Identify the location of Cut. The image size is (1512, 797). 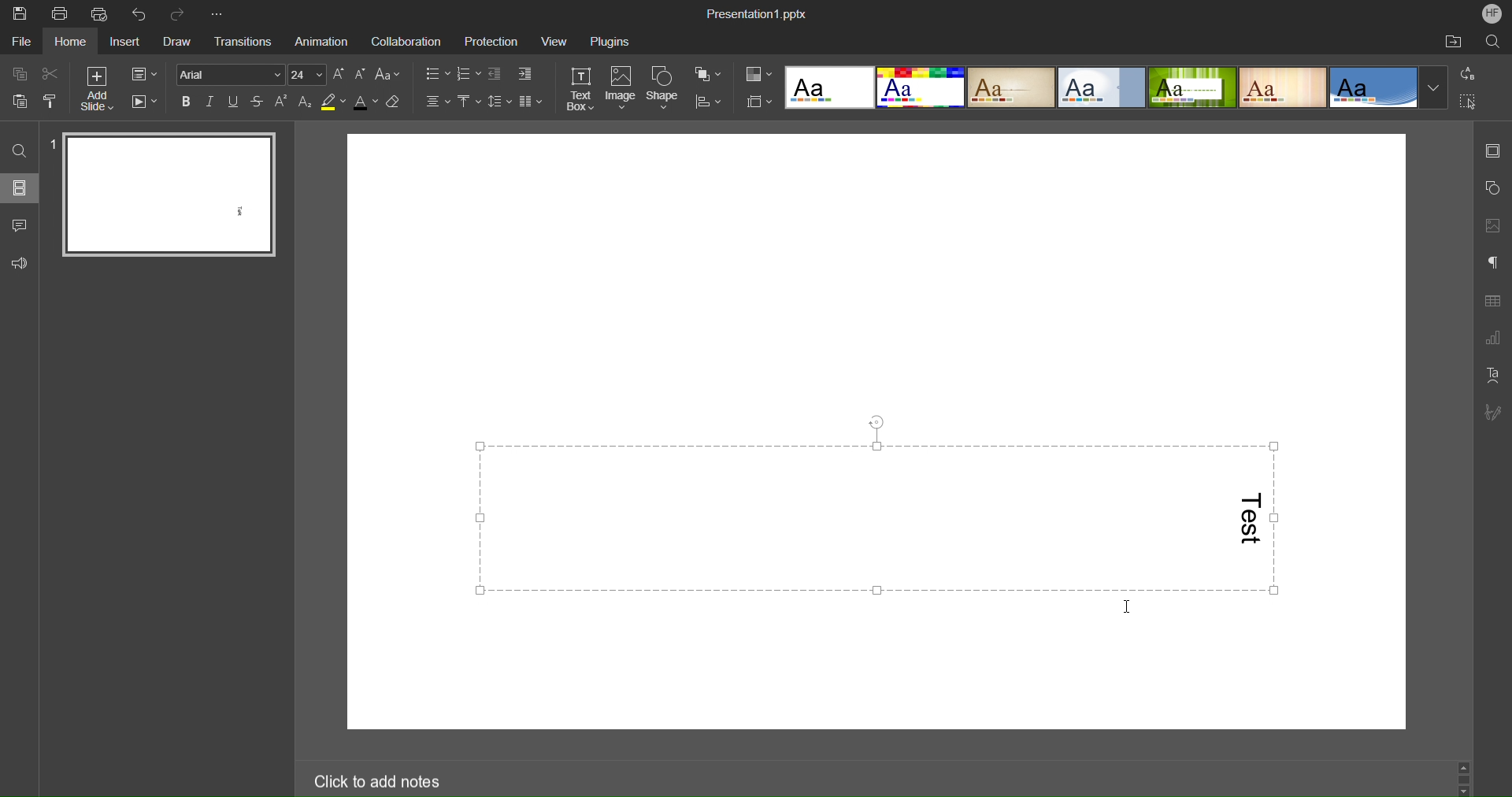
(52, 72).